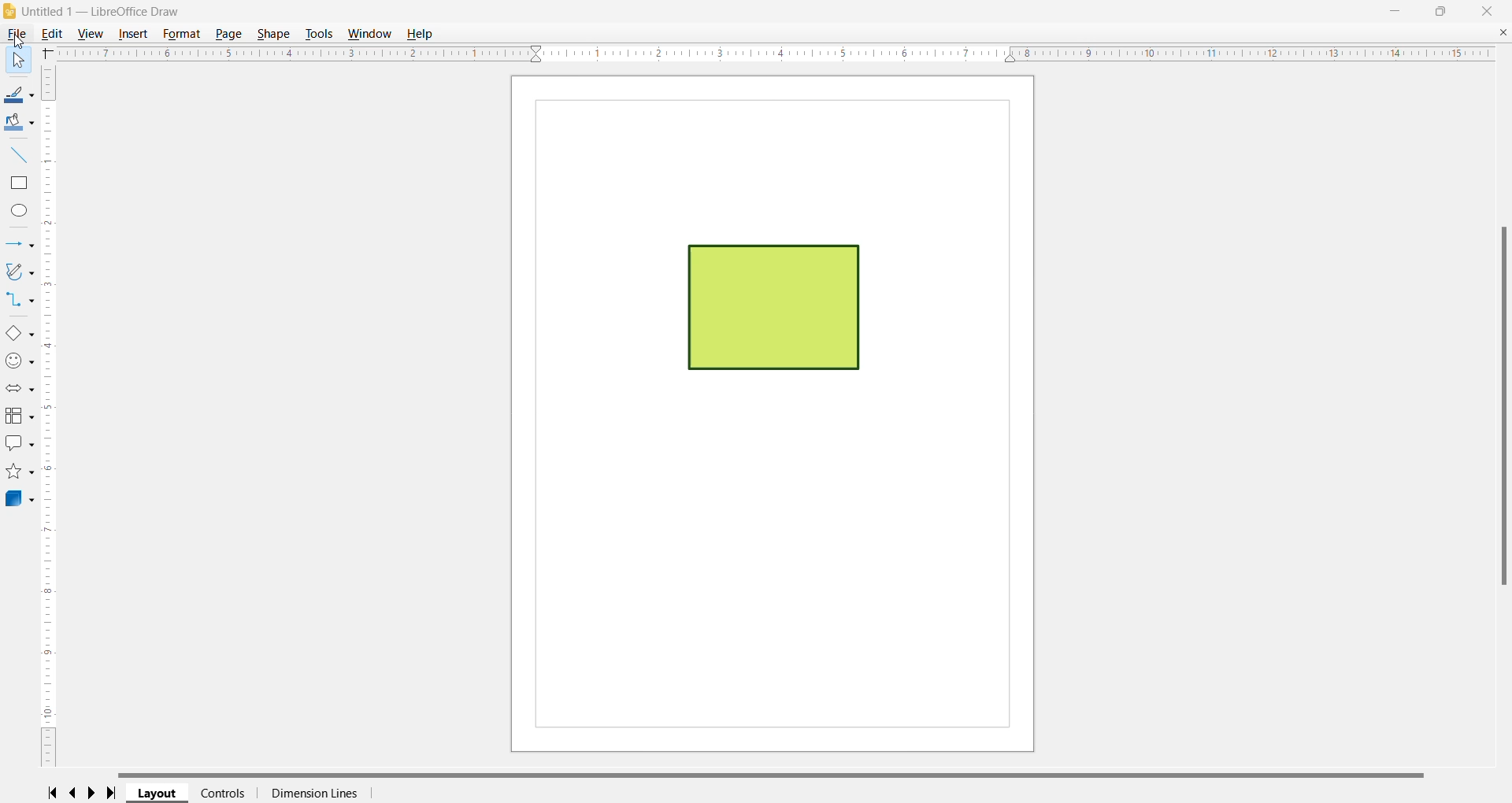 The image size is (1512, 803). What do you see at coordinates (318, 34) in the screenshot?
I see `Tools` at bounding box center [318, 34].